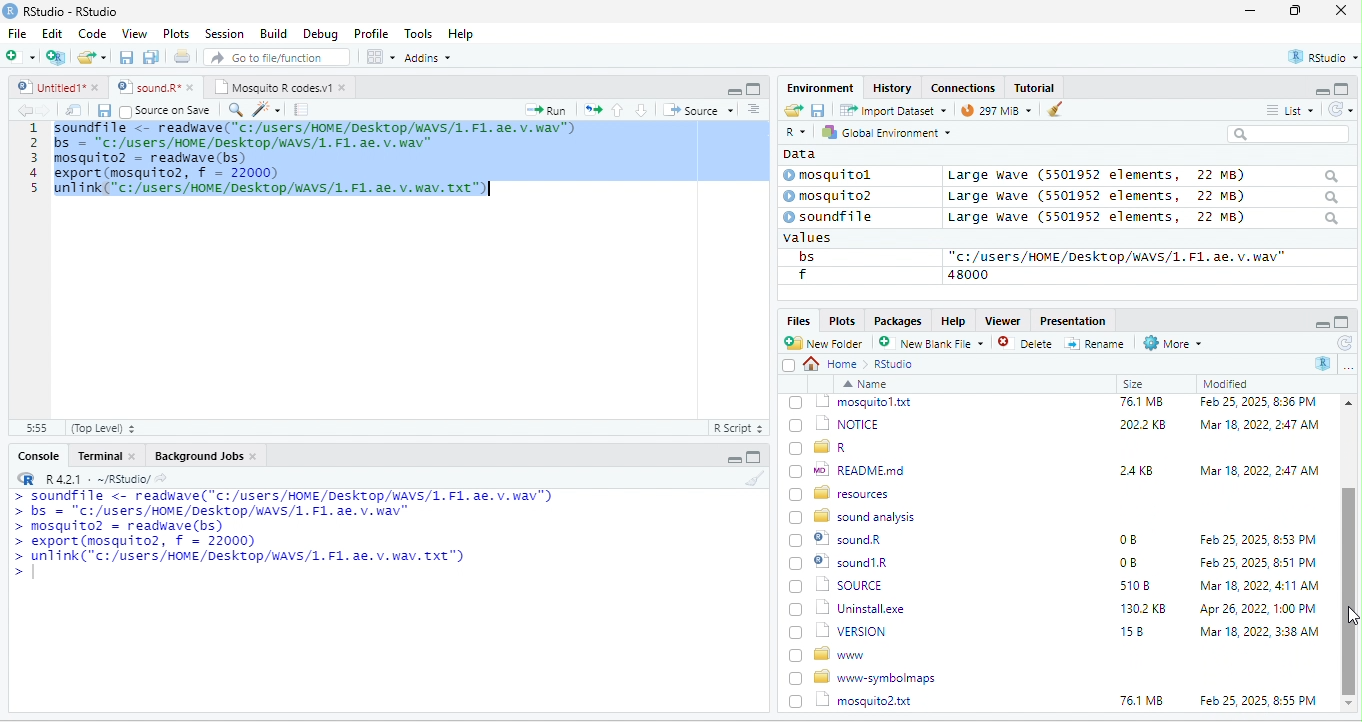  Describe the element at coordinates (1259, 659) in the screenshot. I see `Feb 25, 2025, 8:51 PM` at that location.